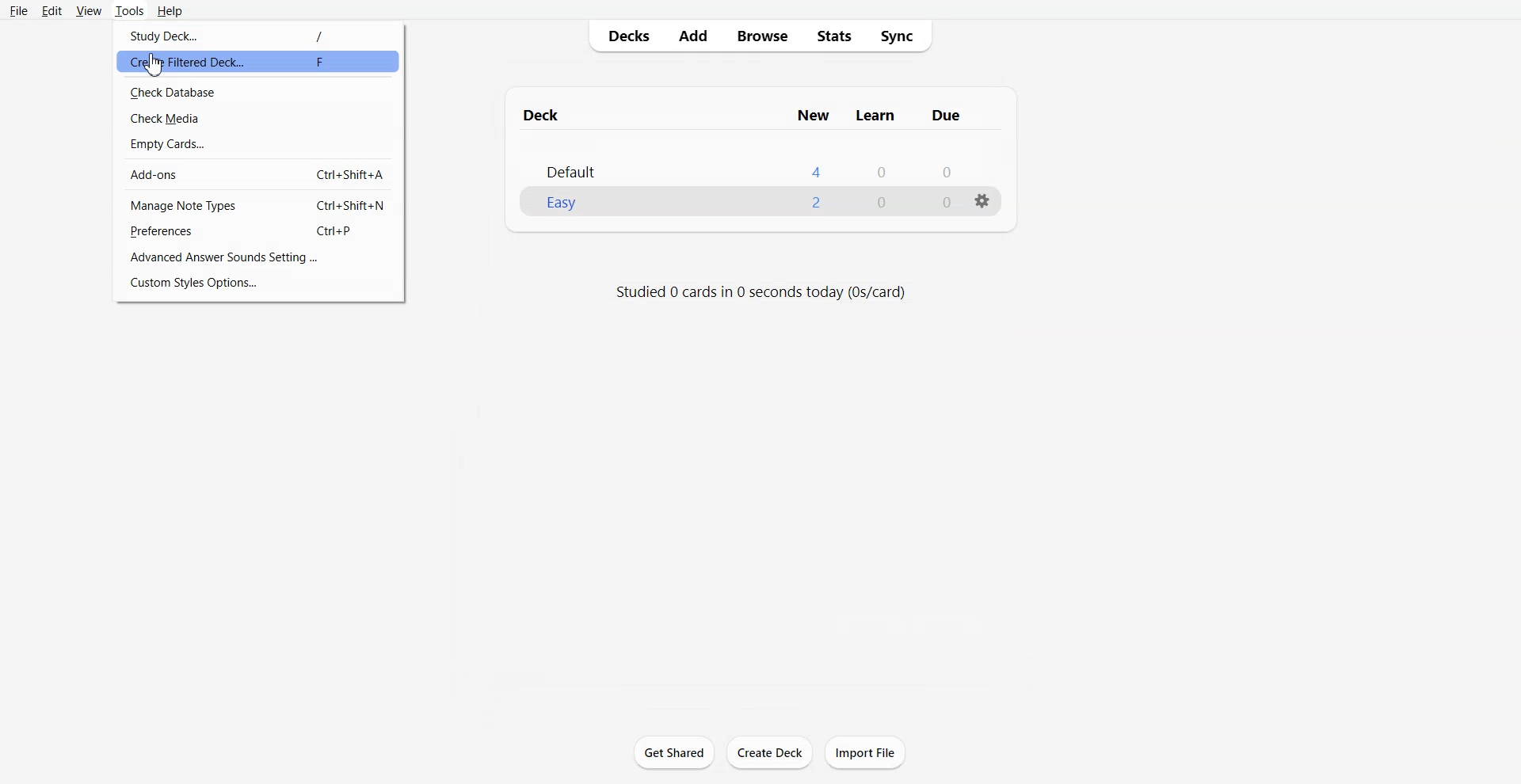  What do you see at coordinates (247, 59) in the screenshot?
I see `Create Filtered Deck` at bounding box center [247, 59].